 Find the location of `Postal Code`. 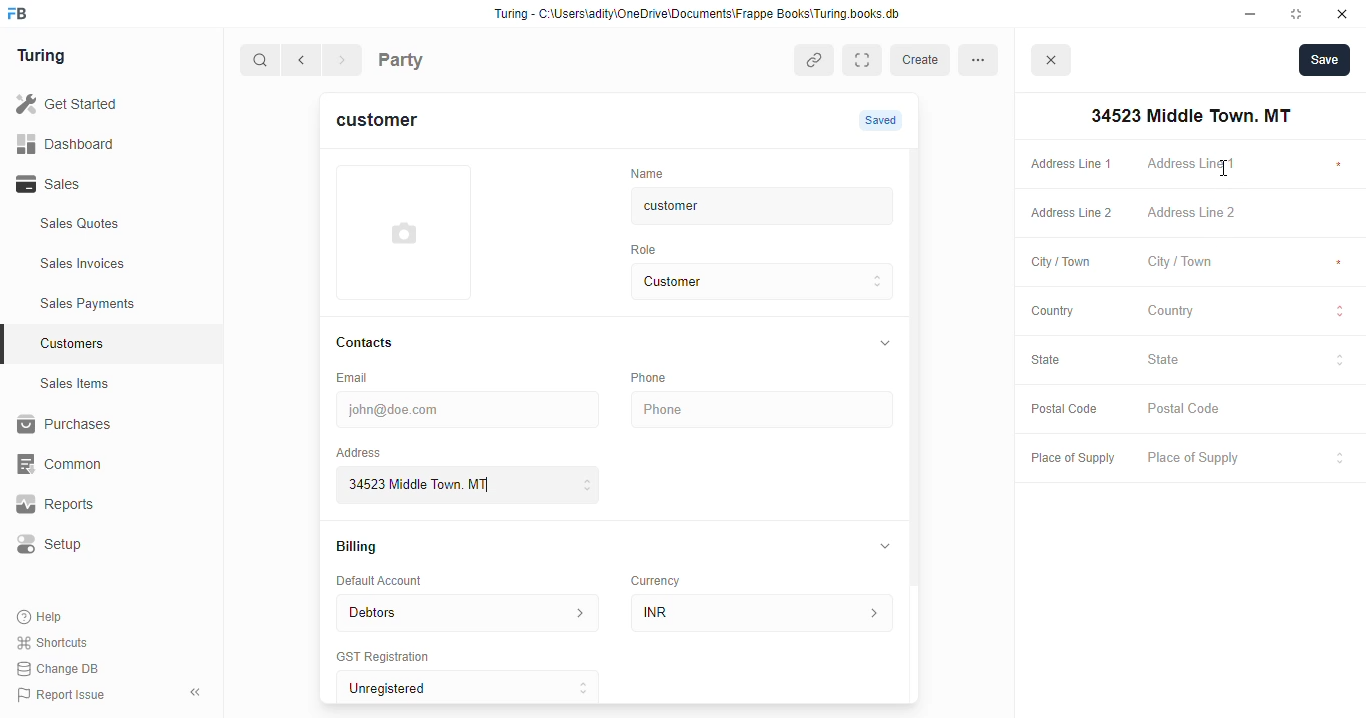

Postal Code is located at coordinates (1064, 410).